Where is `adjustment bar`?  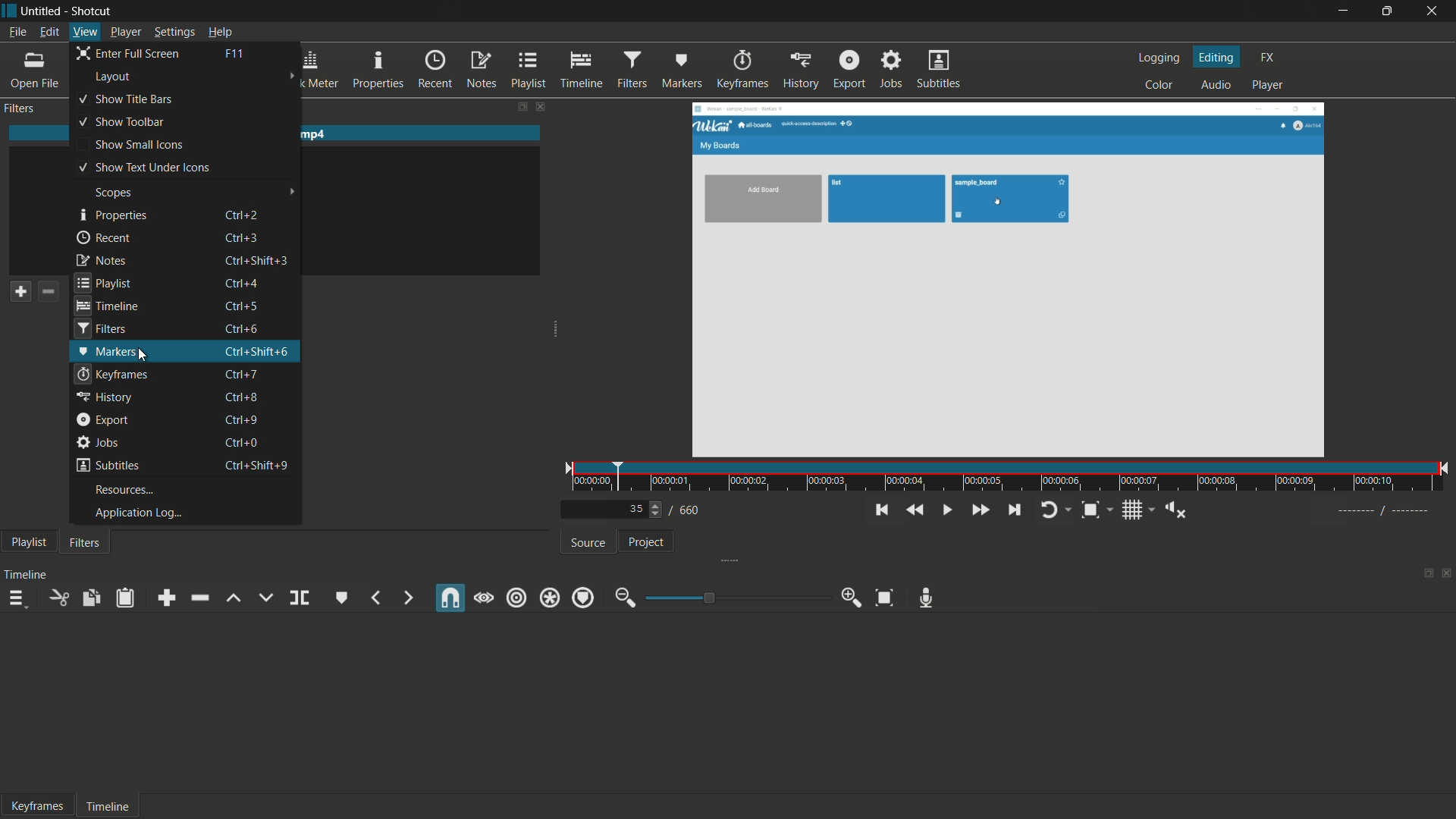 adjustment bar is located at coordinates (733, 598).